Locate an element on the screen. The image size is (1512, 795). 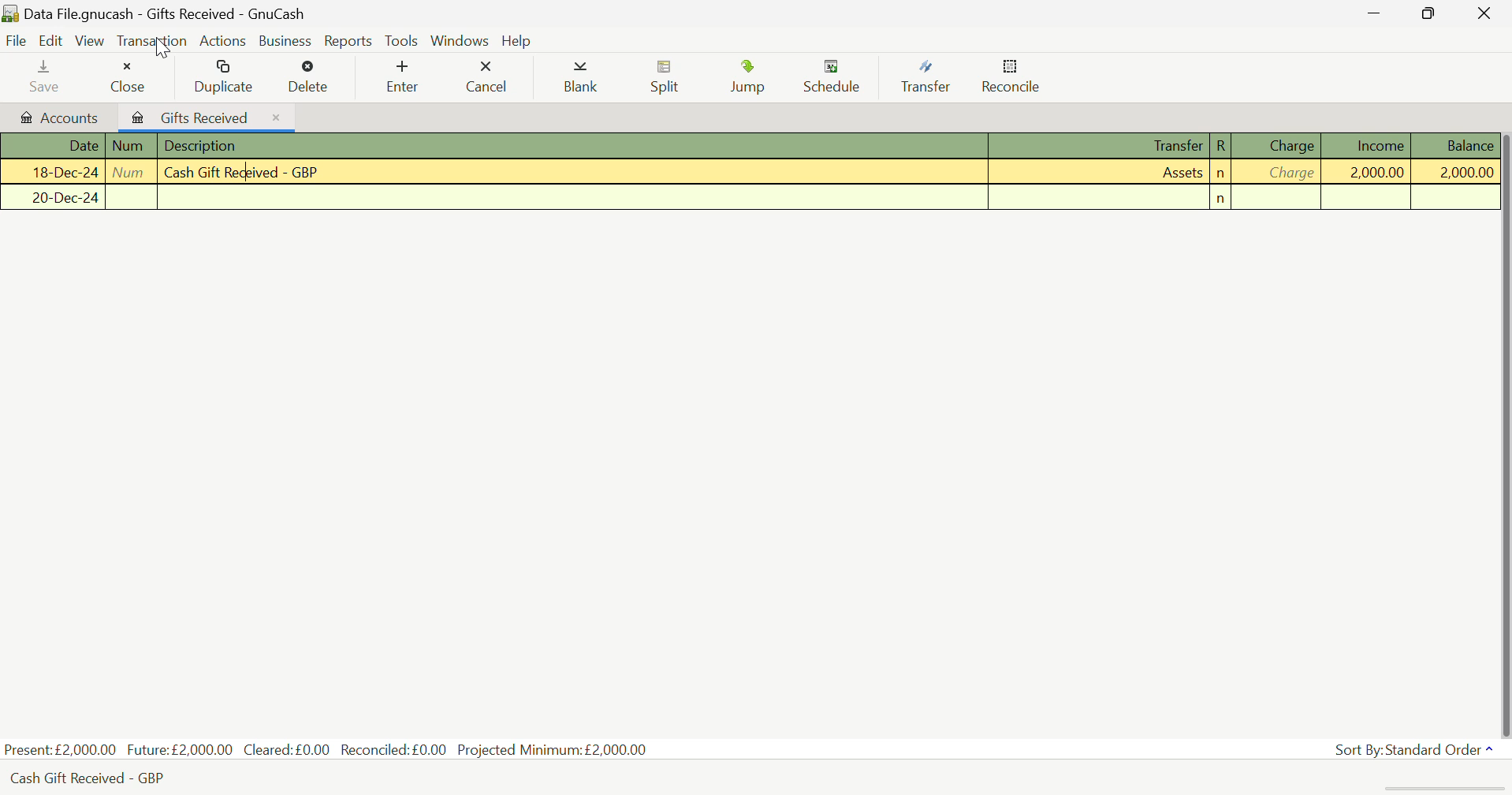
Reconcile is located at coordinates (1011, 77).